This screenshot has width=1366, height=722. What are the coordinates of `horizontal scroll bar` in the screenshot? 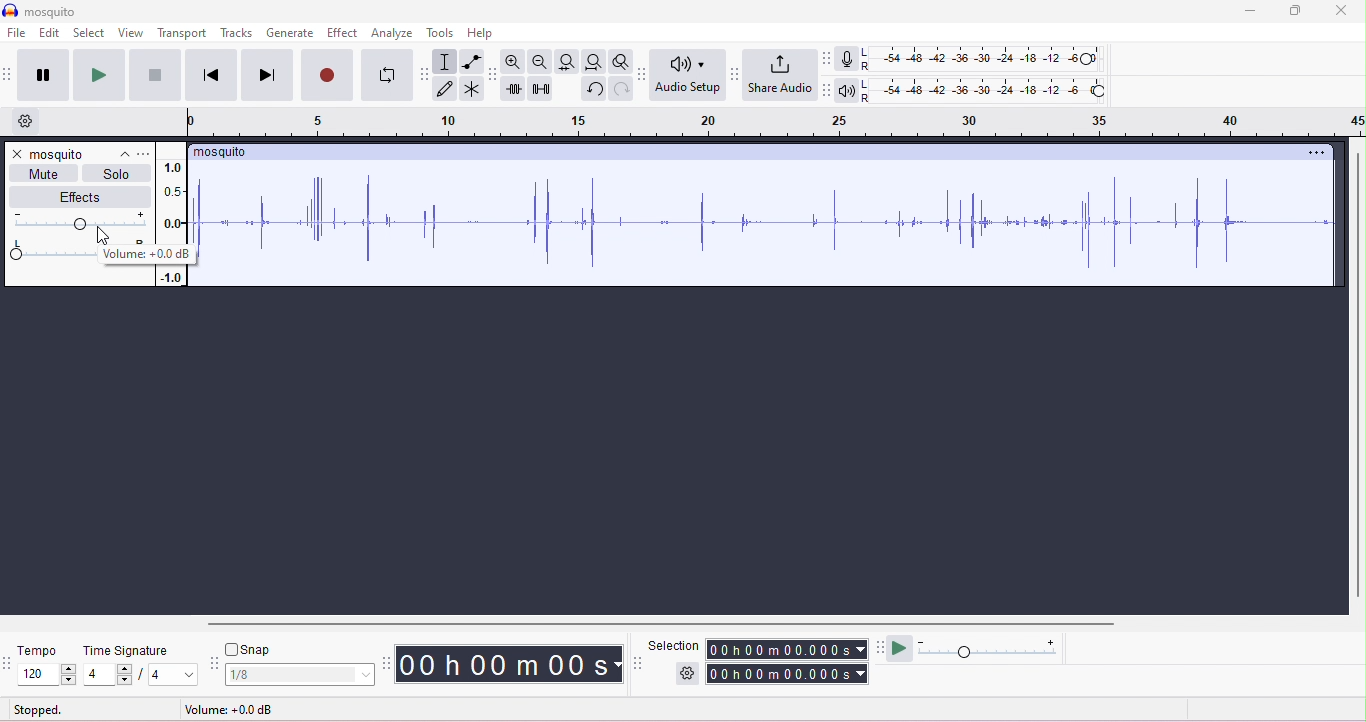 It's located at (654, 622).